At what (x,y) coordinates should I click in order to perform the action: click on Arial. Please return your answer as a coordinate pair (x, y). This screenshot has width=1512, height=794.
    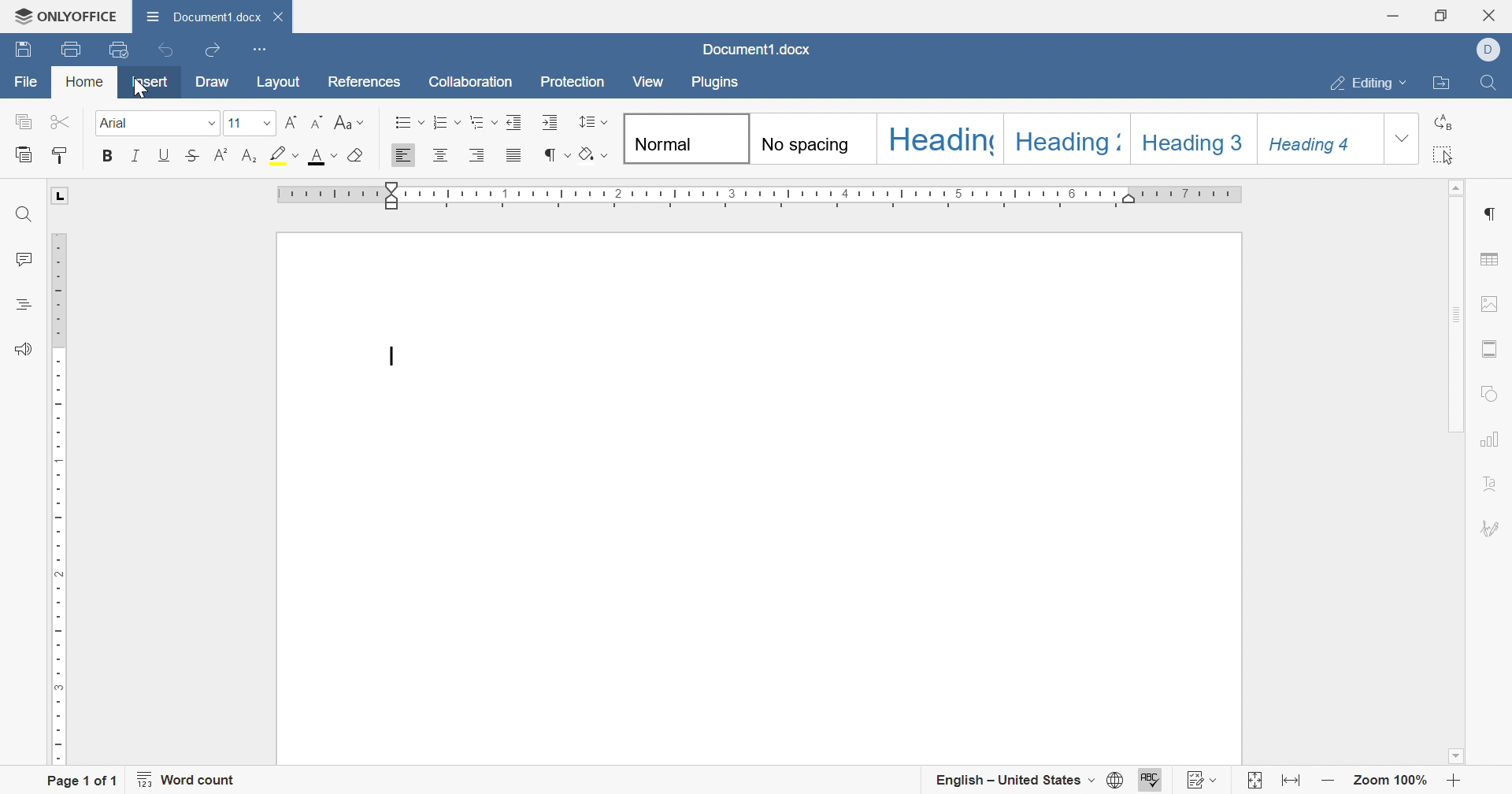
    Looking at the image, I should click on (125, 126).